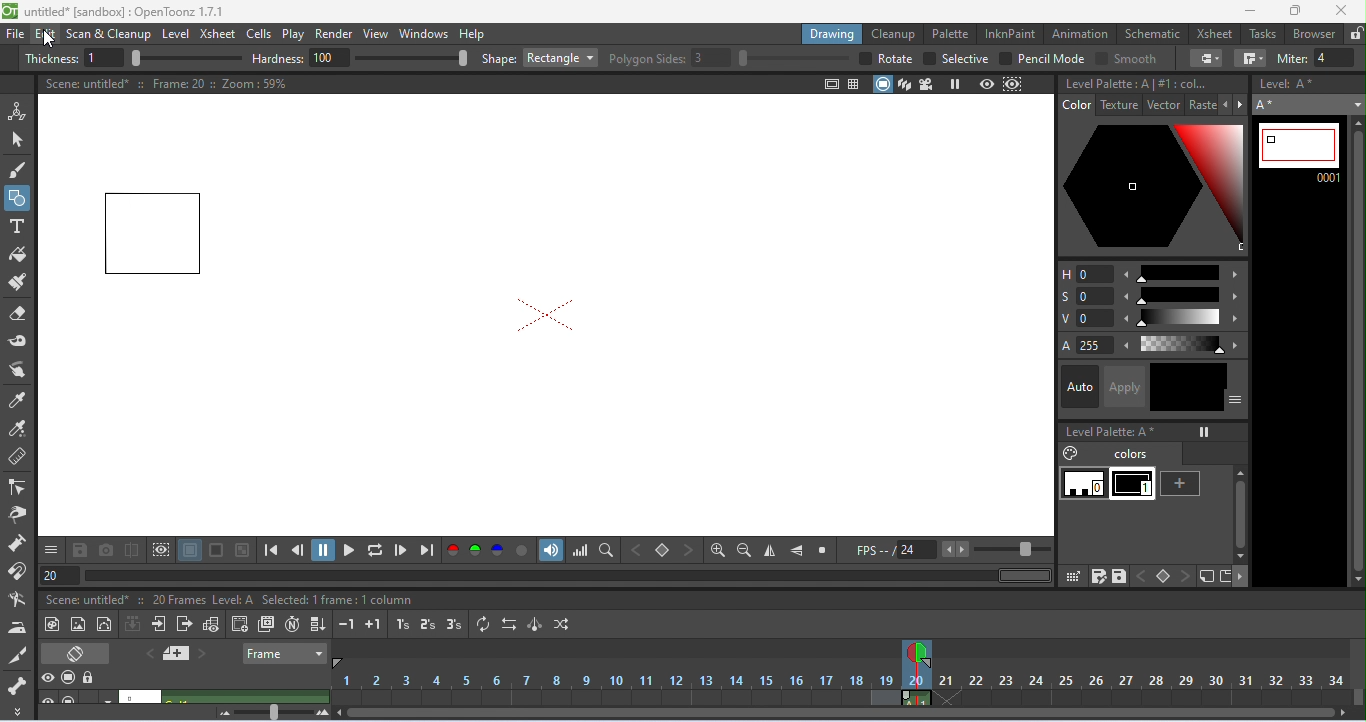 The height and width of the screenshot is (722, 1366). What do you see at coordinates (917, 646) in the screenshot?
I see `current frame` at bounding box center [917, 646].